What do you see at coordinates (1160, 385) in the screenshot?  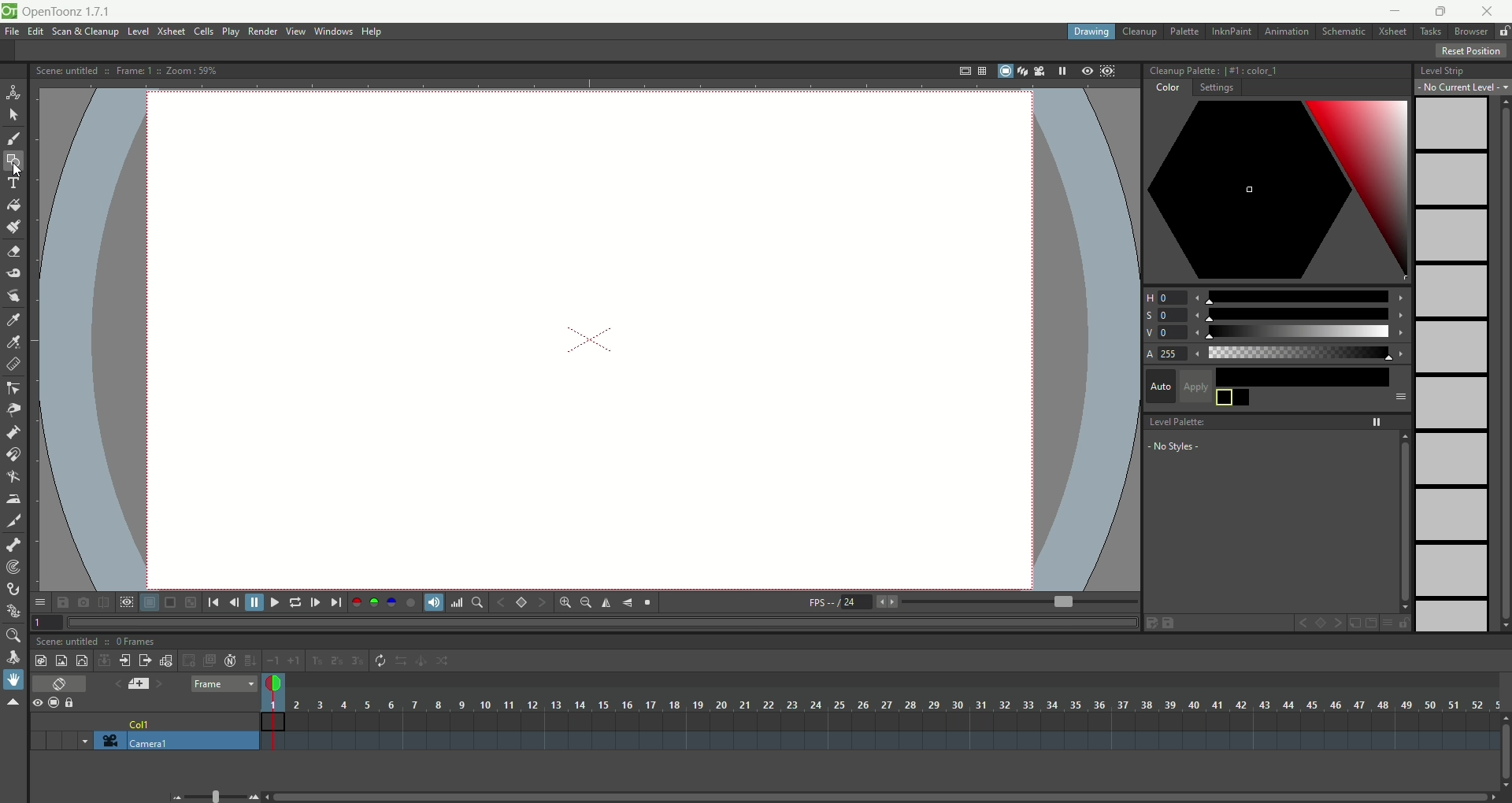 I see `auto` at bounding box center [1160, 385].